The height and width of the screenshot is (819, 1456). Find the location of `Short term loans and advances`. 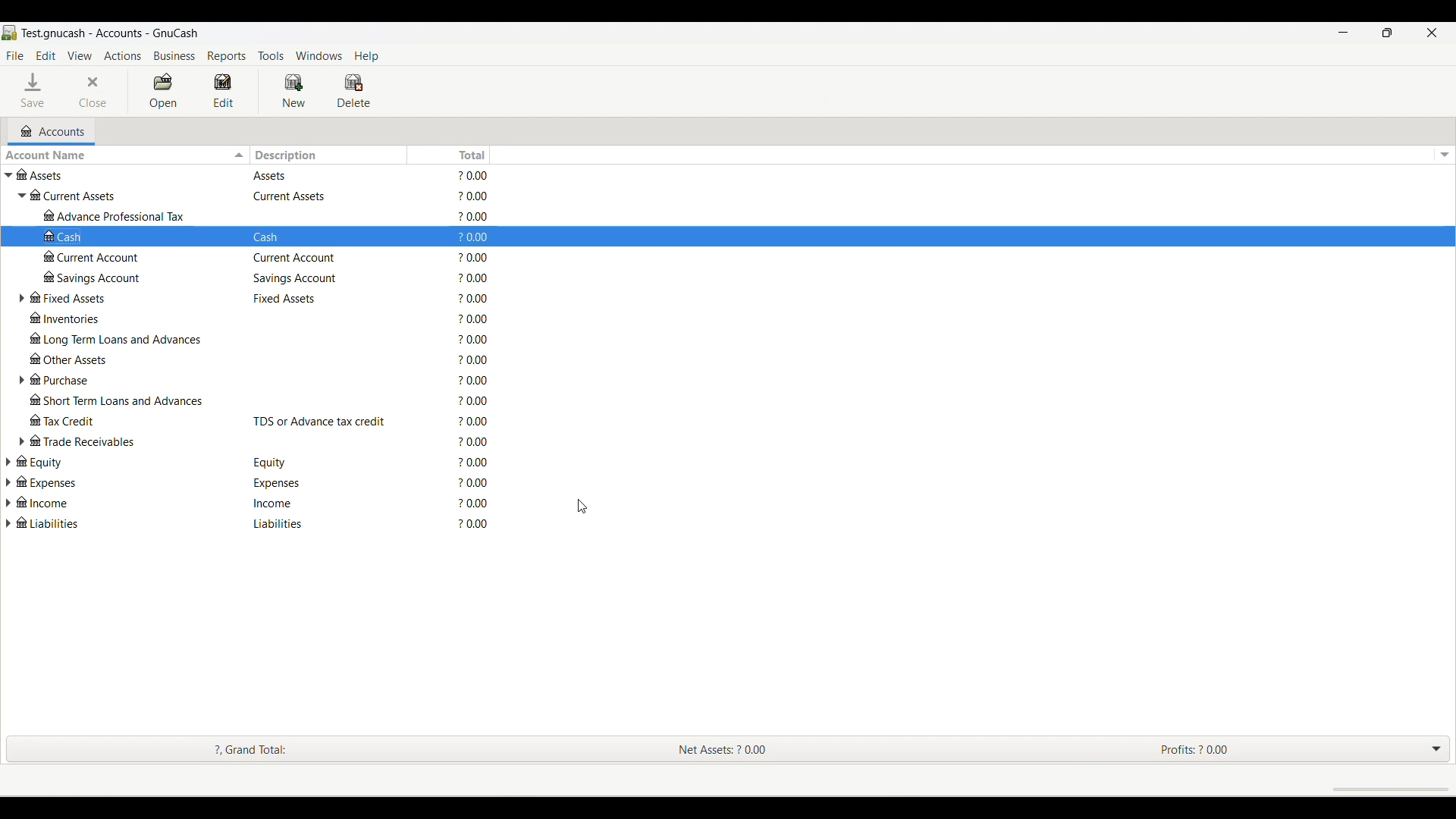

Short term loans and advances is located at coordinates (127, 400).